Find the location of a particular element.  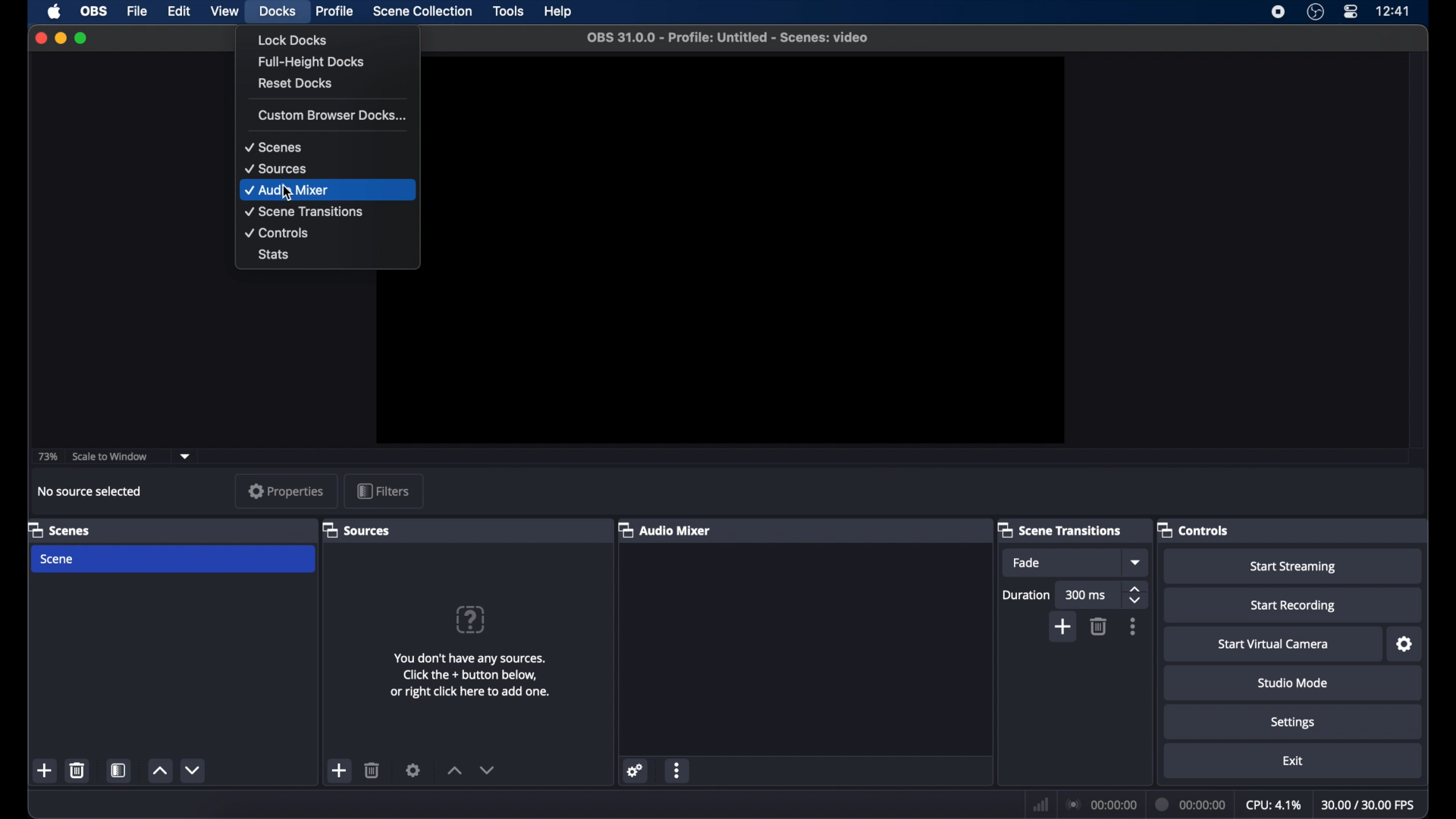

scene transitions is located at coordinates (1059, 529).